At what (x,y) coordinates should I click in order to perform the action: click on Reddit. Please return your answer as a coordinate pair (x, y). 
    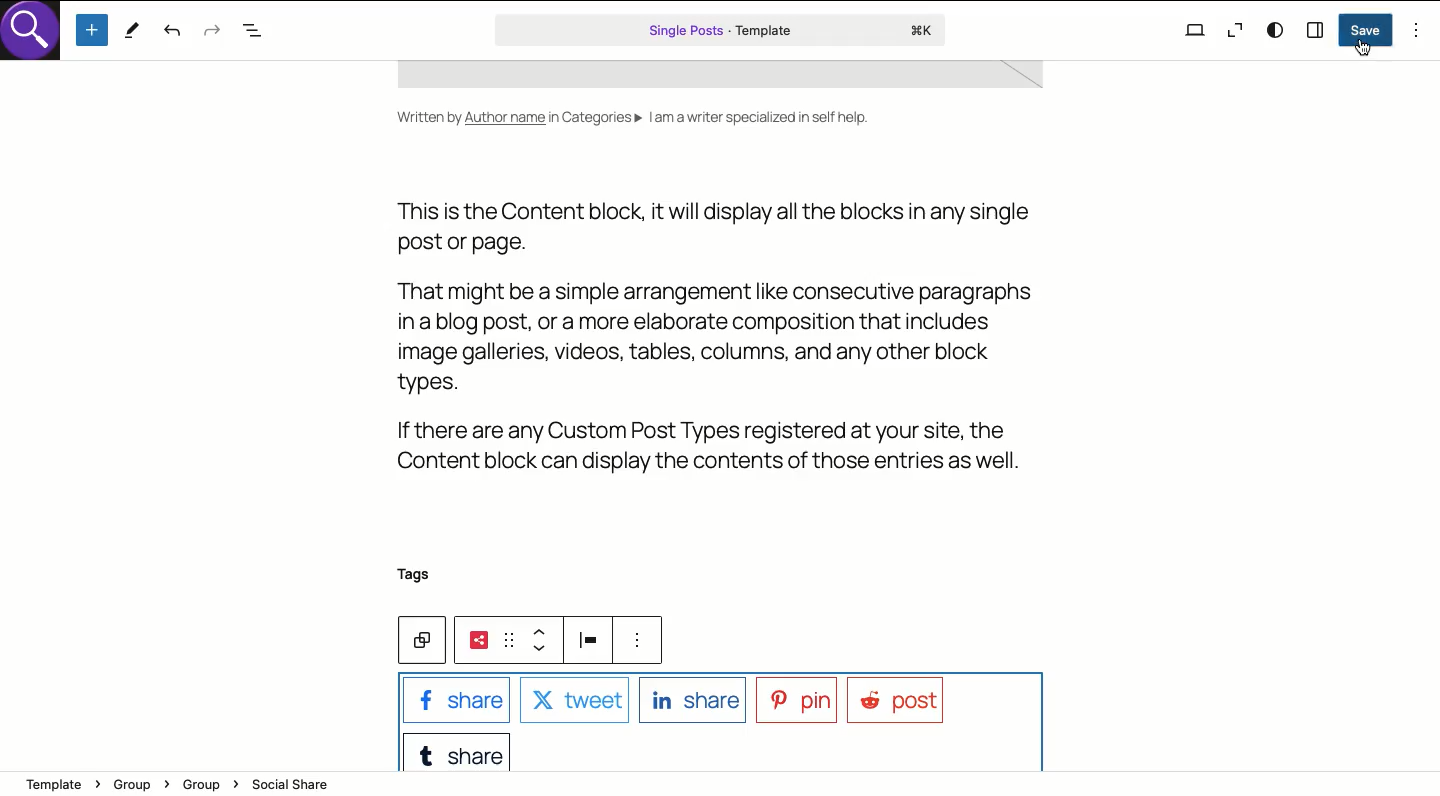
    Looking at the image, I should click on (901, 701).